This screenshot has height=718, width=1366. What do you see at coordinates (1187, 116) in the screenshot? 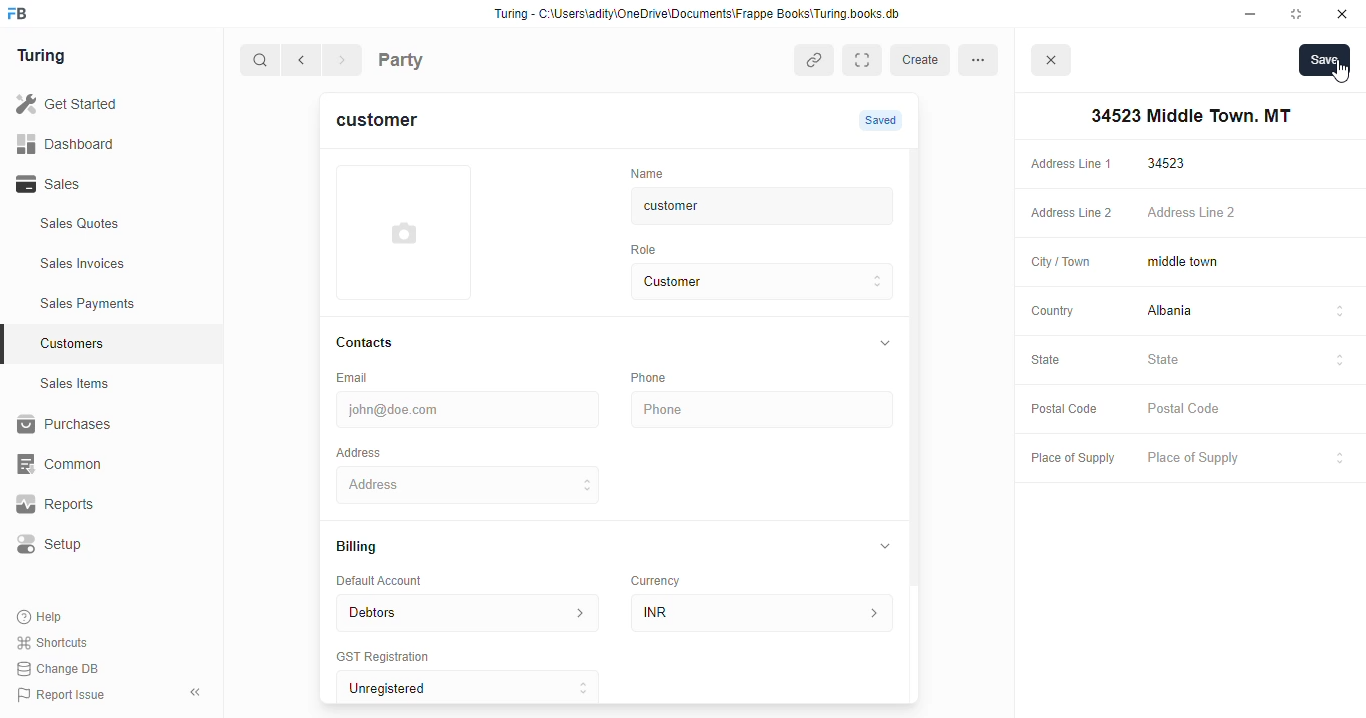
I see `34523 Middle Town. MT` at bounding box center [1187, 116].